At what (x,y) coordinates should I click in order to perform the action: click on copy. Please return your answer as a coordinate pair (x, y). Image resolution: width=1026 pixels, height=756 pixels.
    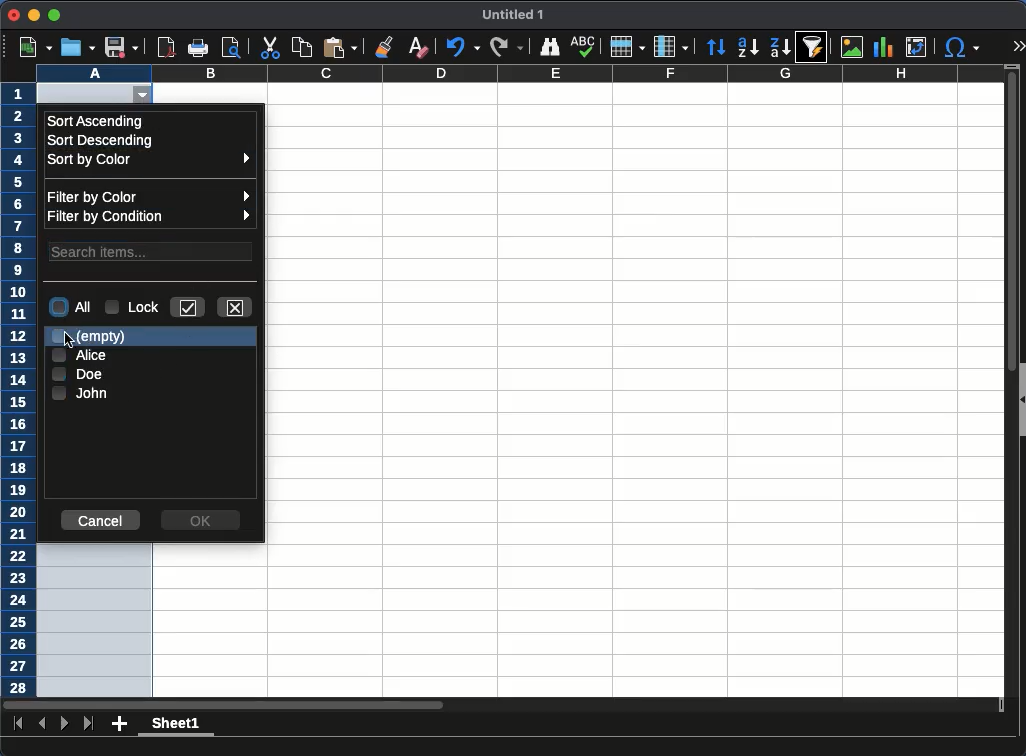
    Looking at the image, I should click on (303, 48).